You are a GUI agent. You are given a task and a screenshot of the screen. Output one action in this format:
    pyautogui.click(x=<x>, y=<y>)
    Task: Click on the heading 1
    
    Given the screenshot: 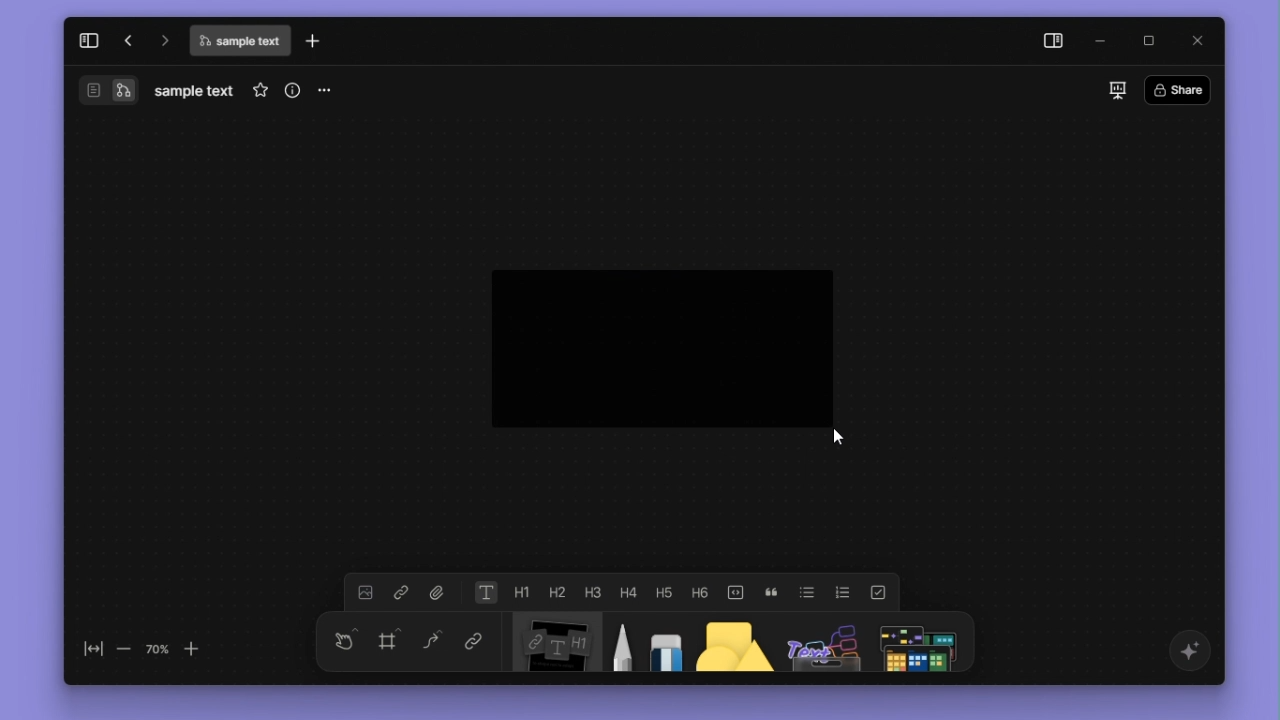 What is the action you would take?
    pyautogui.click(x=522, y=592)
    